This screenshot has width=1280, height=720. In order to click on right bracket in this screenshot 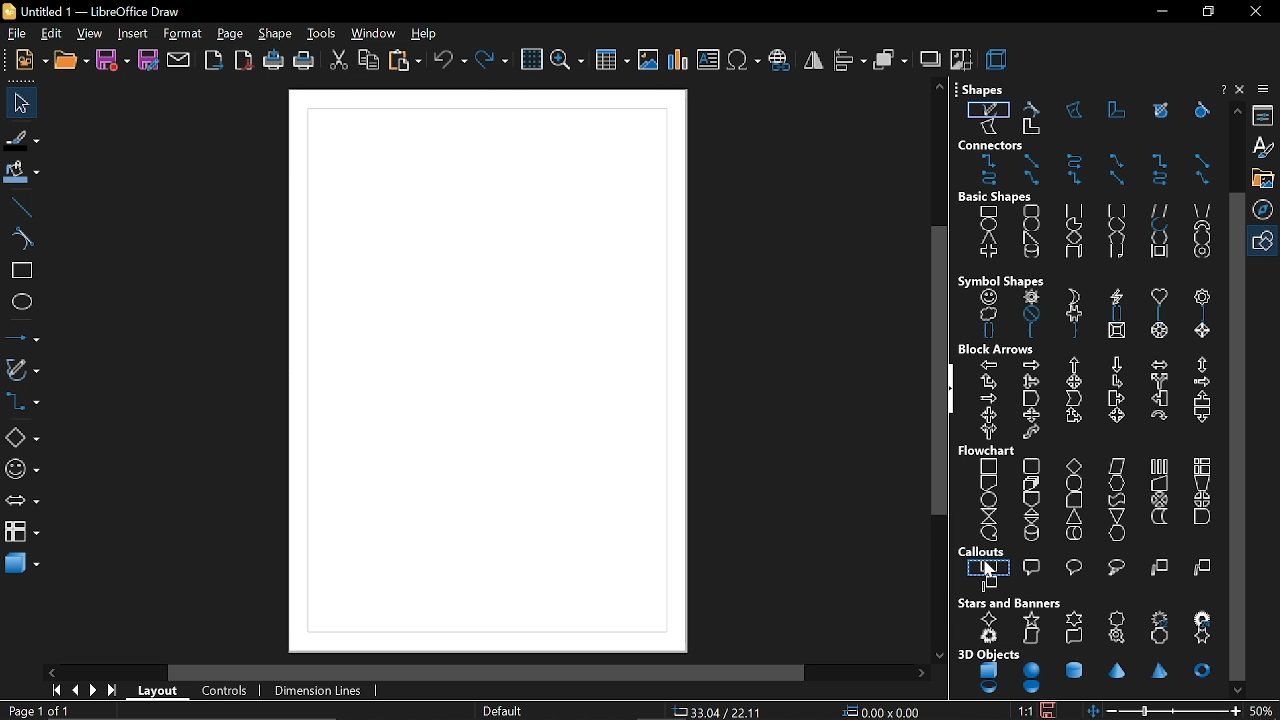, I will do `click(1204, 316)`.